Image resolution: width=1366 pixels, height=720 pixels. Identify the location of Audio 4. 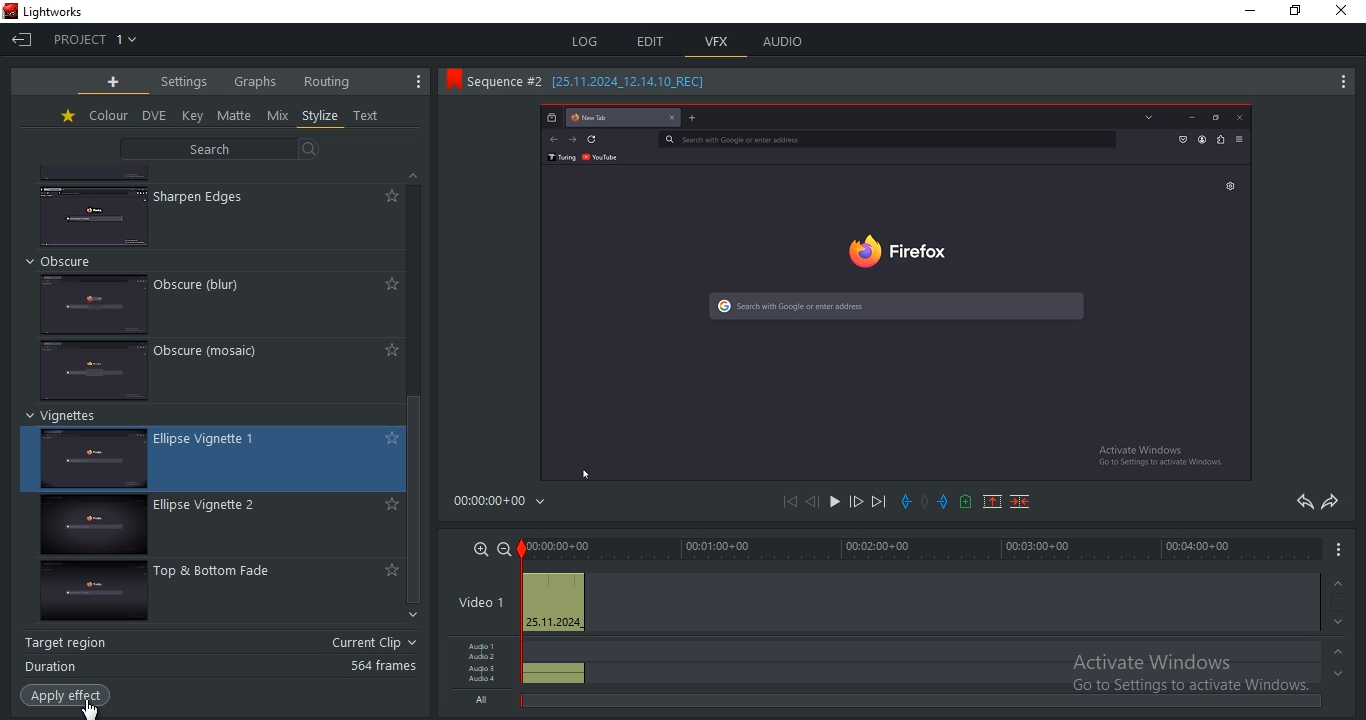
(485, 682).